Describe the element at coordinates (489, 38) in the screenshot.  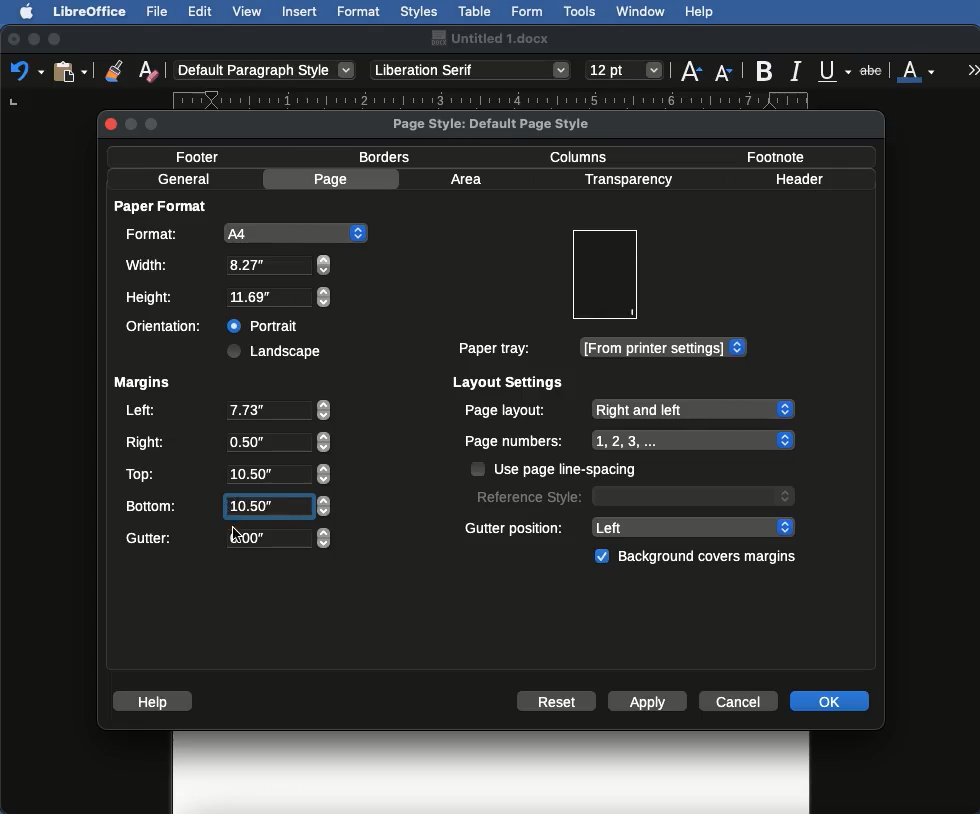
I see `Name` at that location.